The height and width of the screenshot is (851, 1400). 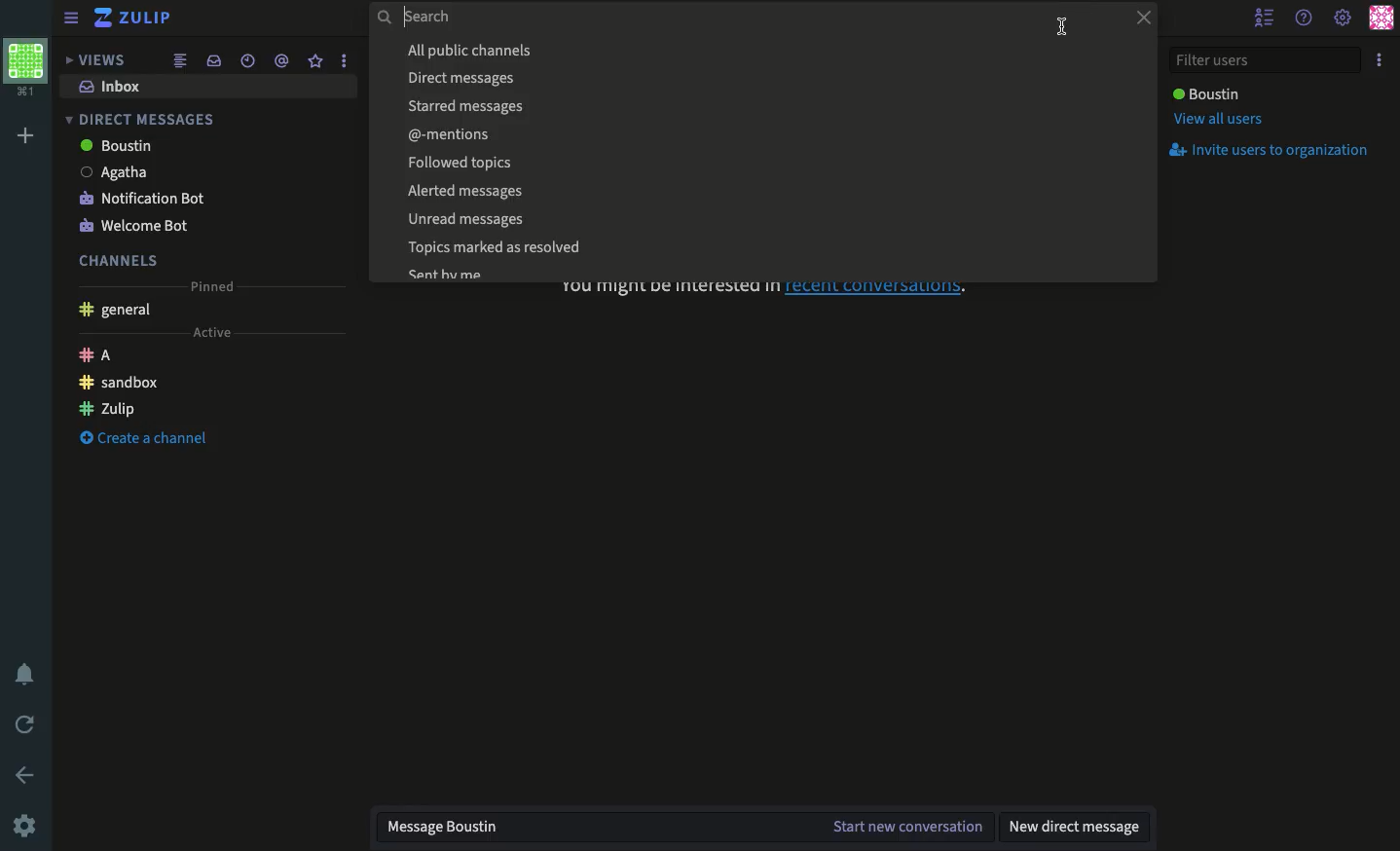 What do you see at coordinates (109, 87) in the screenshot?
I see `Inbox` at bounding box center [109, 87].